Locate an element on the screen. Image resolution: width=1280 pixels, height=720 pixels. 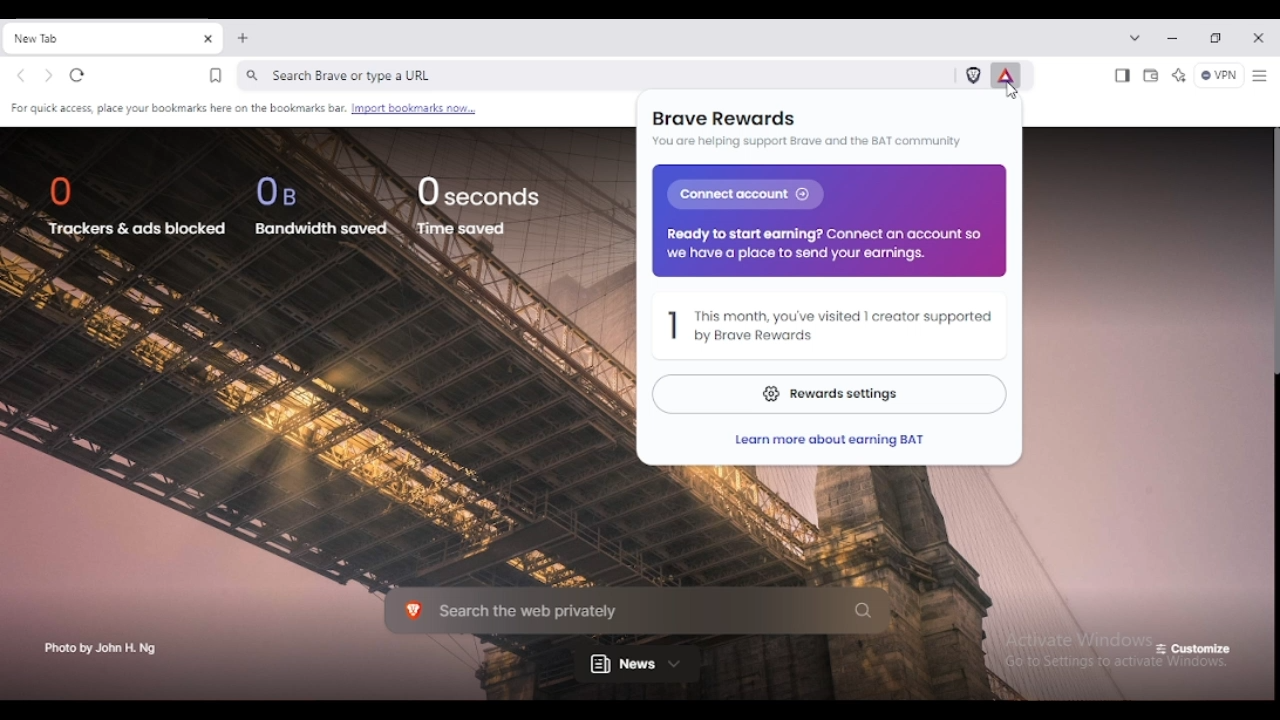
go forward is located at coordinates (48, 77).